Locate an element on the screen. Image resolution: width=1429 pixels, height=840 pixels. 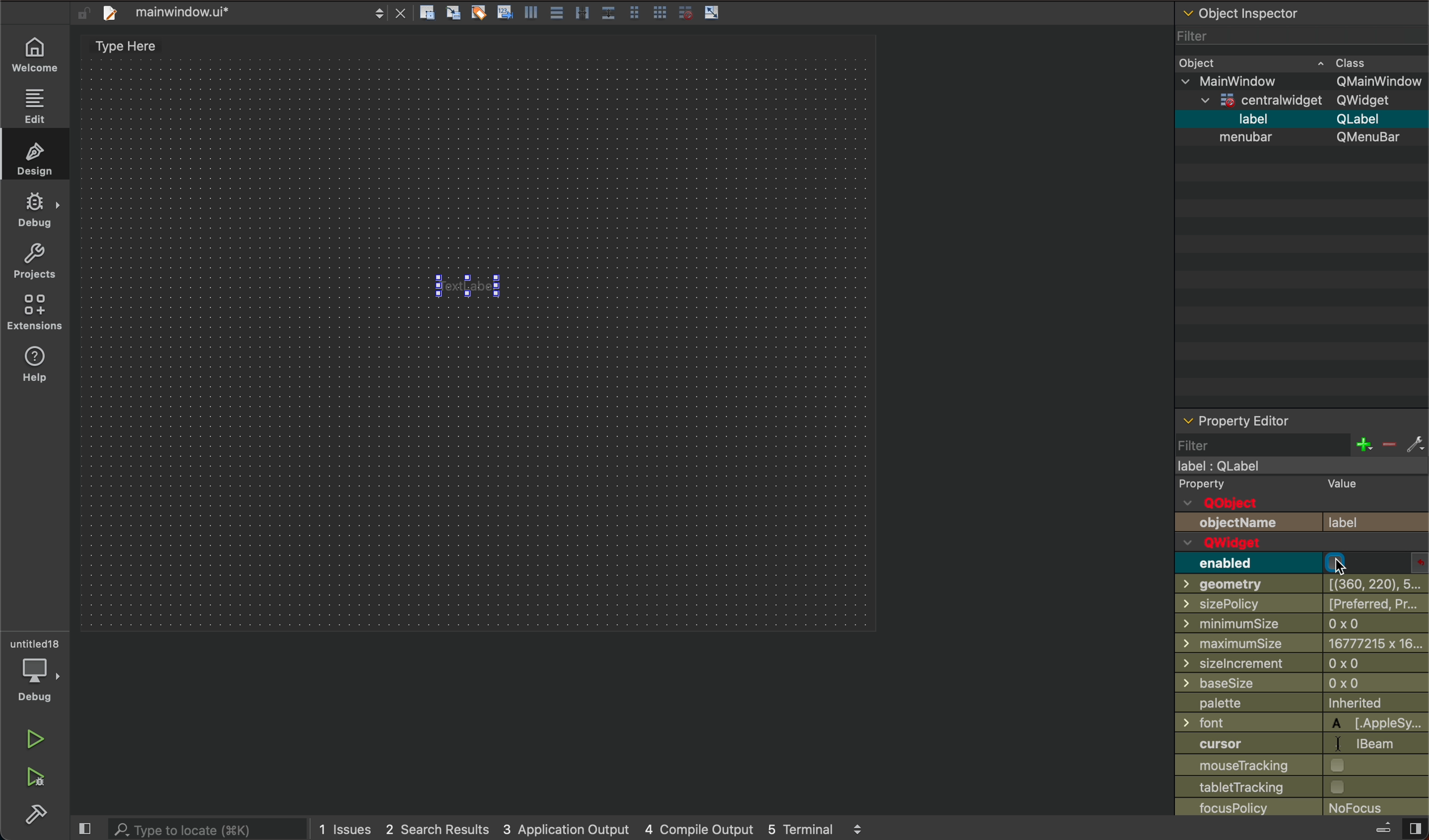
2 search results is located at coordinates (435, 825).